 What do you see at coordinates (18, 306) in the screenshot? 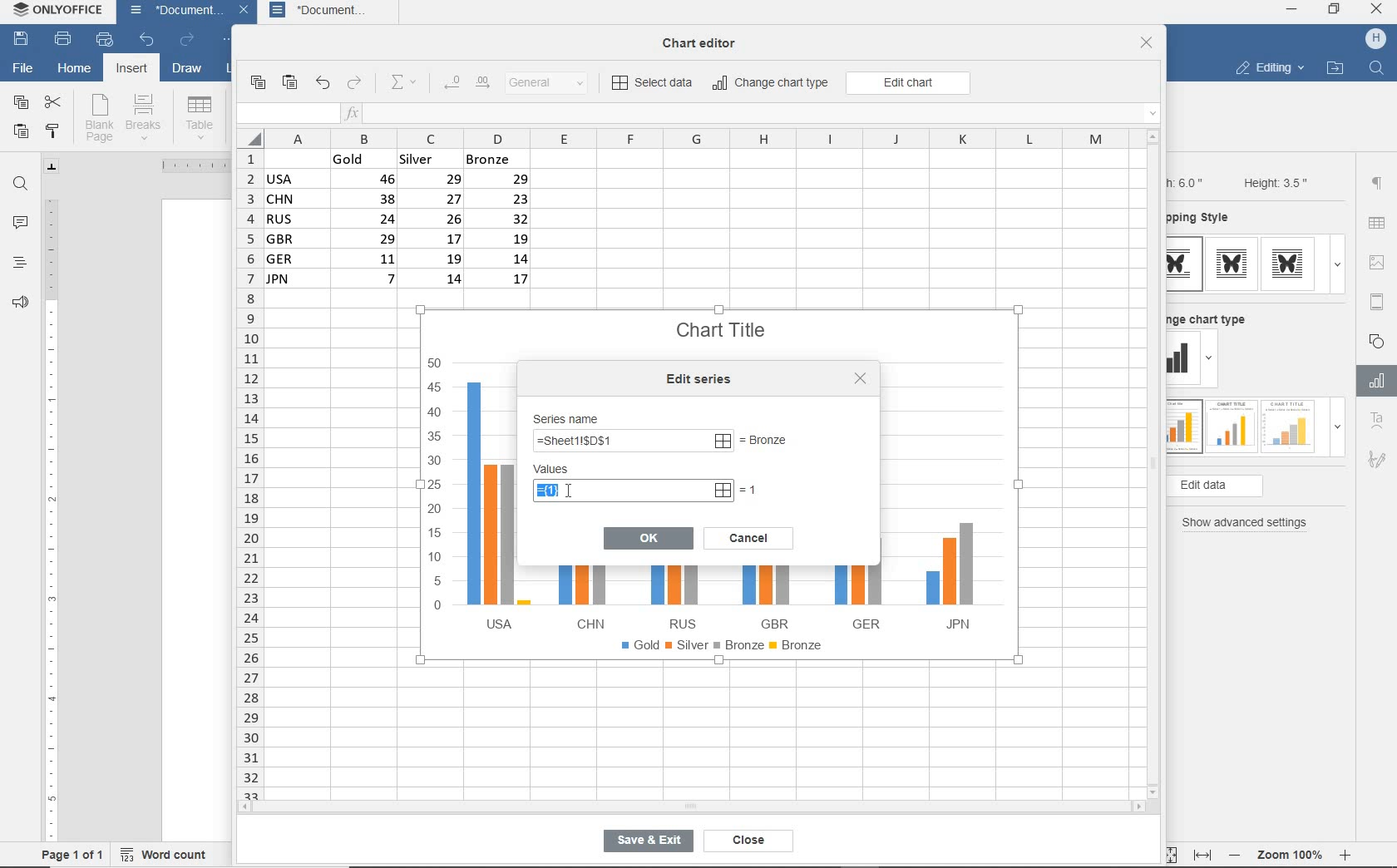
I see `feedback & support` at bounding box center [18, 306].